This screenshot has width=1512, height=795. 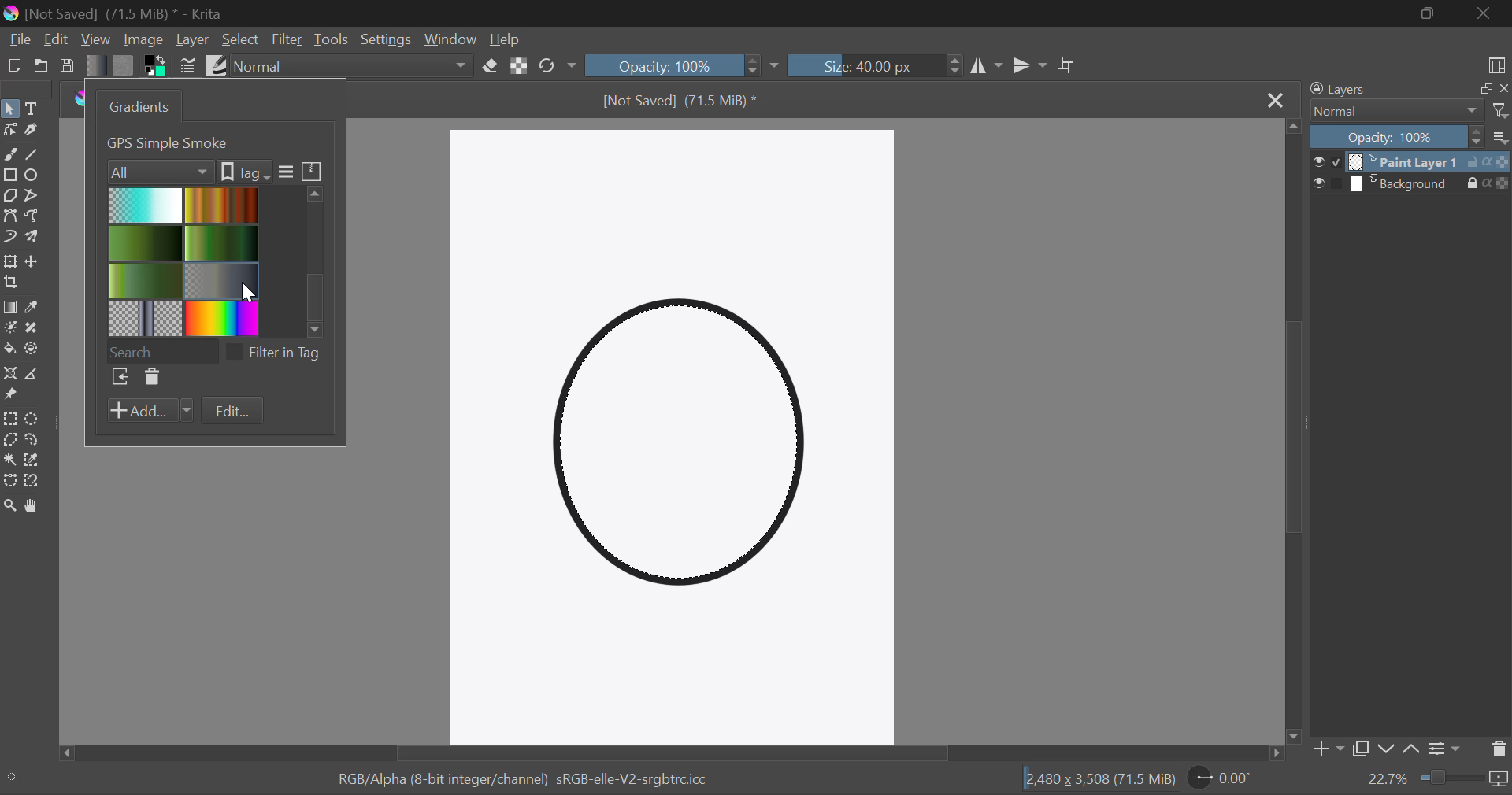 I want to click on Similar Color Selection, so click(x=39, y=459).